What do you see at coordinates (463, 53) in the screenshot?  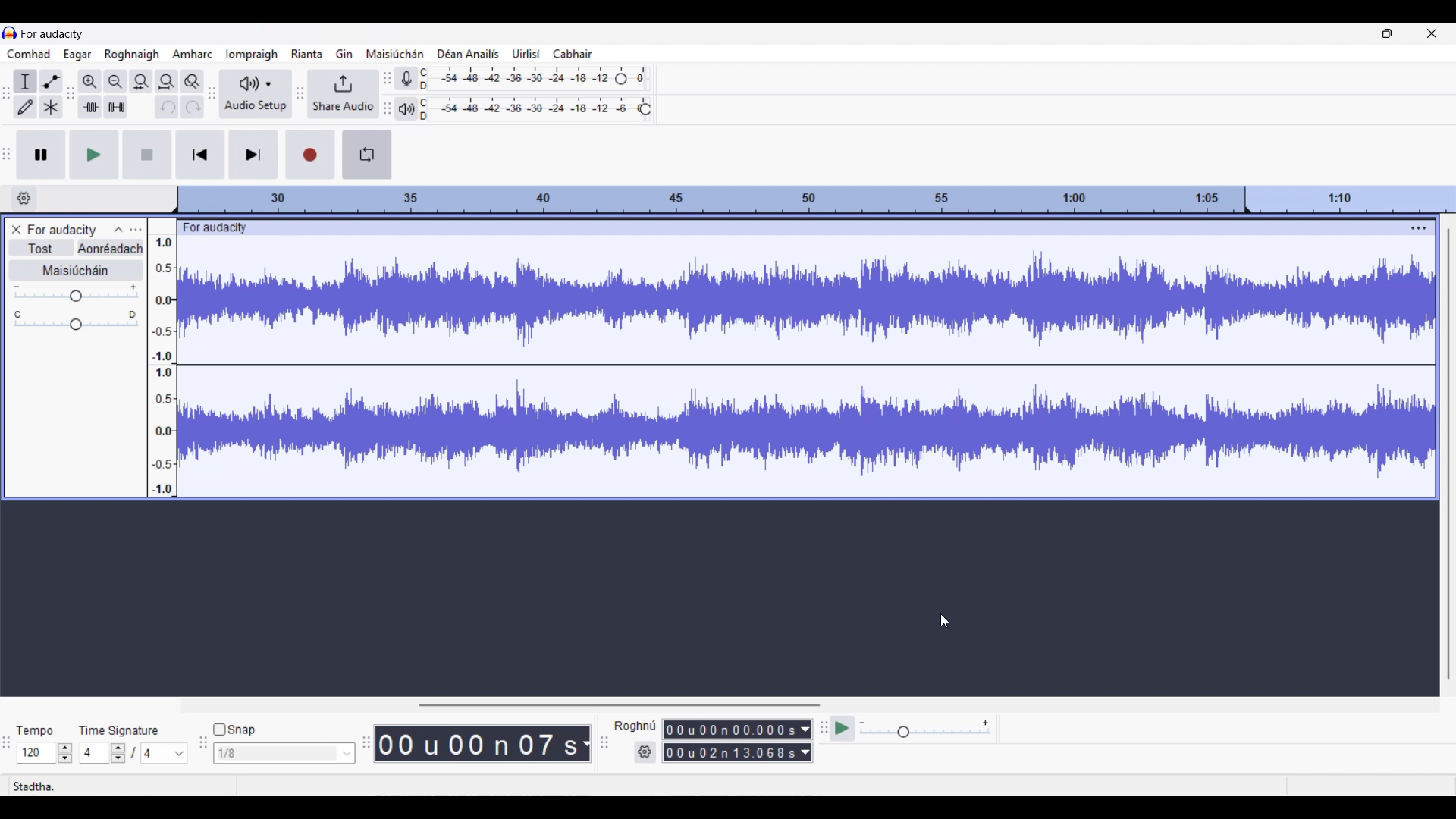 I see `Déan Anailis` at bounding box center [463, 53].